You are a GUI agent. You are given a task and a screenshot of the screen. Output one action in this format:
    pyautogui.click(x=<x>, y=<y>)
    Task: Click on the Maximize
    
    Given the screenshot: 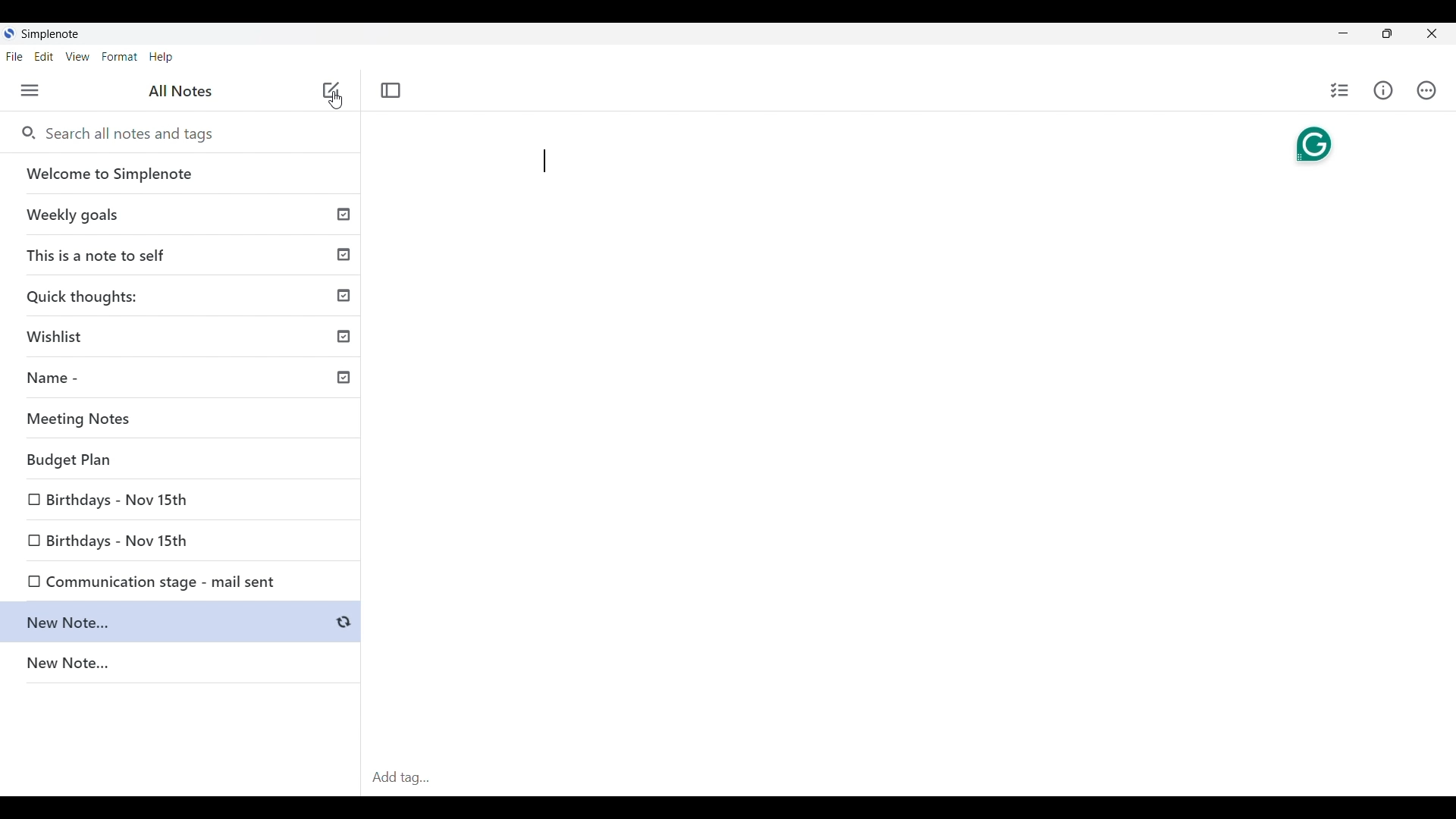 What is the action you would take?
    pyautogui.click(x=1387, y=33)
    